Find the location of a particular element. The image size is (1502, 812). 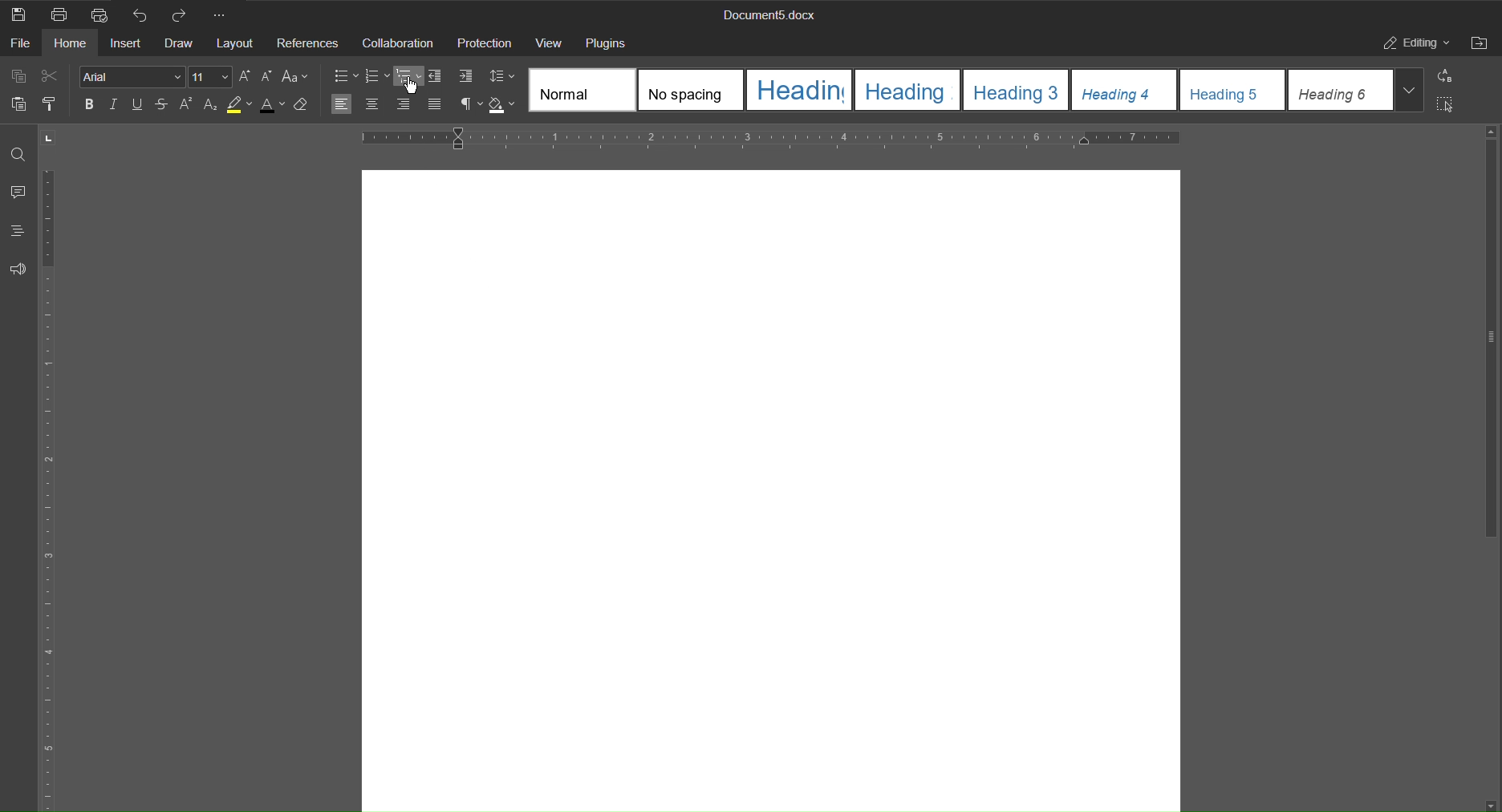

Open File Location is located at coordinates (1481, 43).